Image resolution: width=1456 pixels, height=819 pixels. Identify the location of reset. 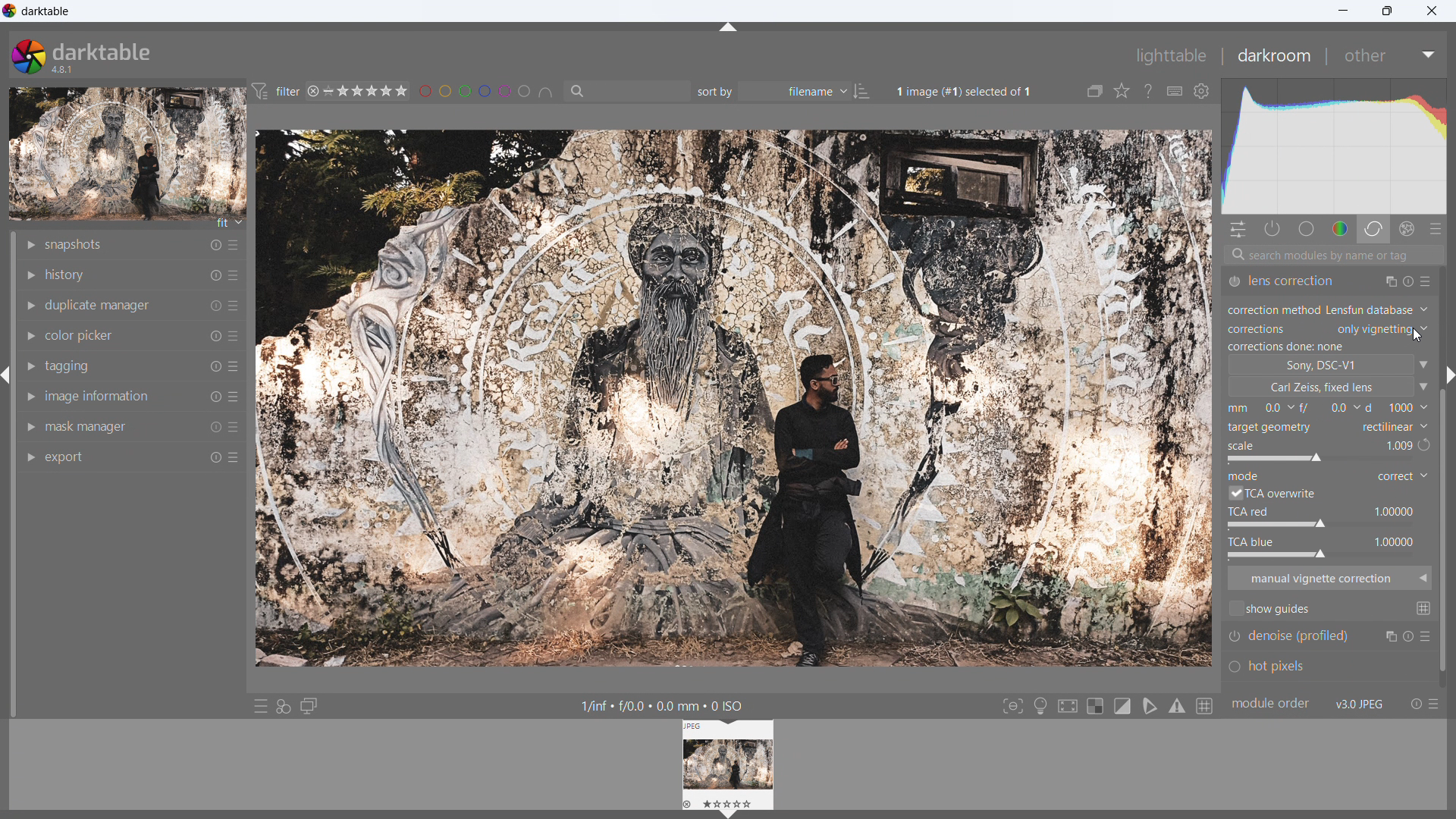
(1416, 705).